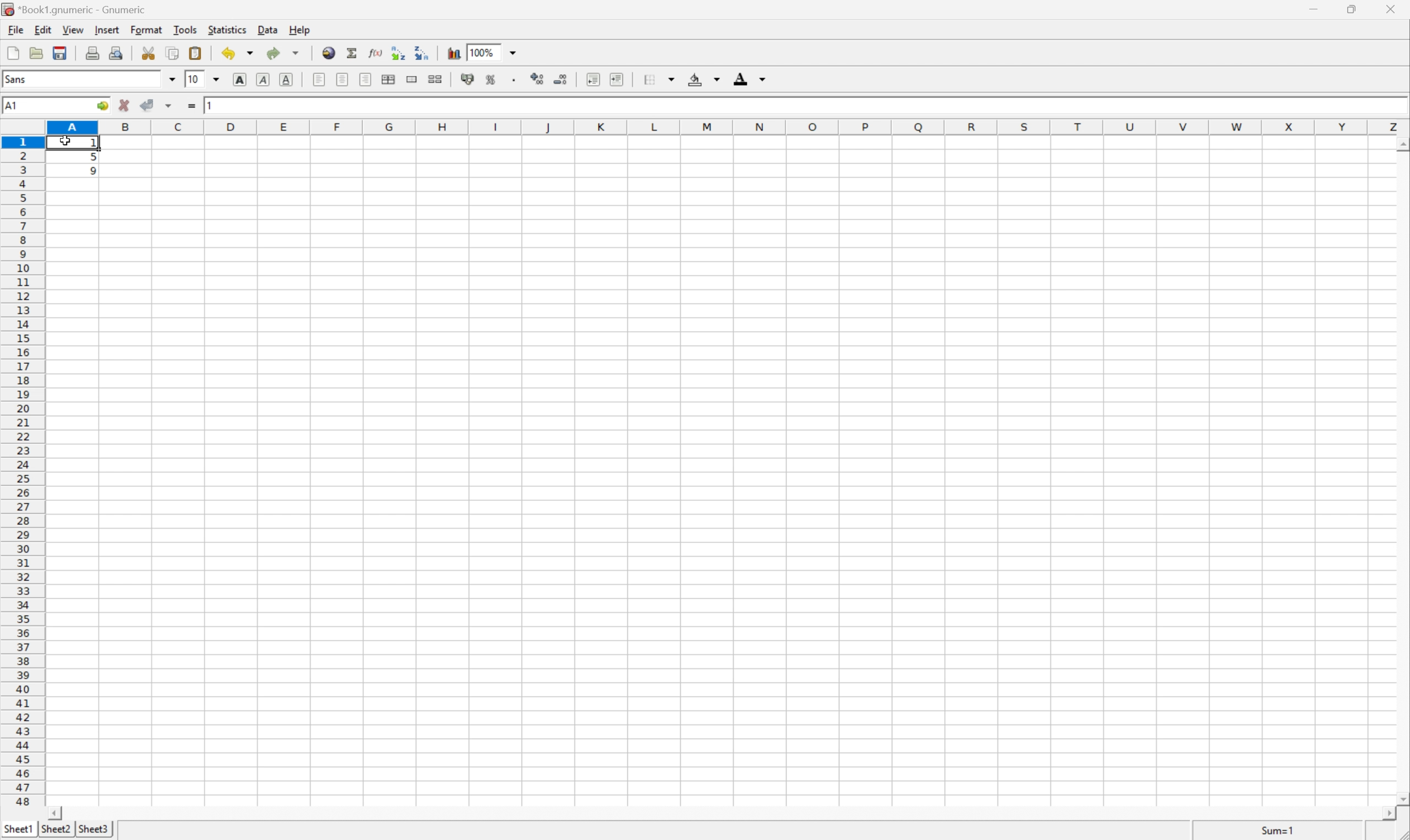 This screenshot has width=1410, height=840. Describe the element at coordinates (1280, 833) in the screenshot. I see `sum=1` at that location.